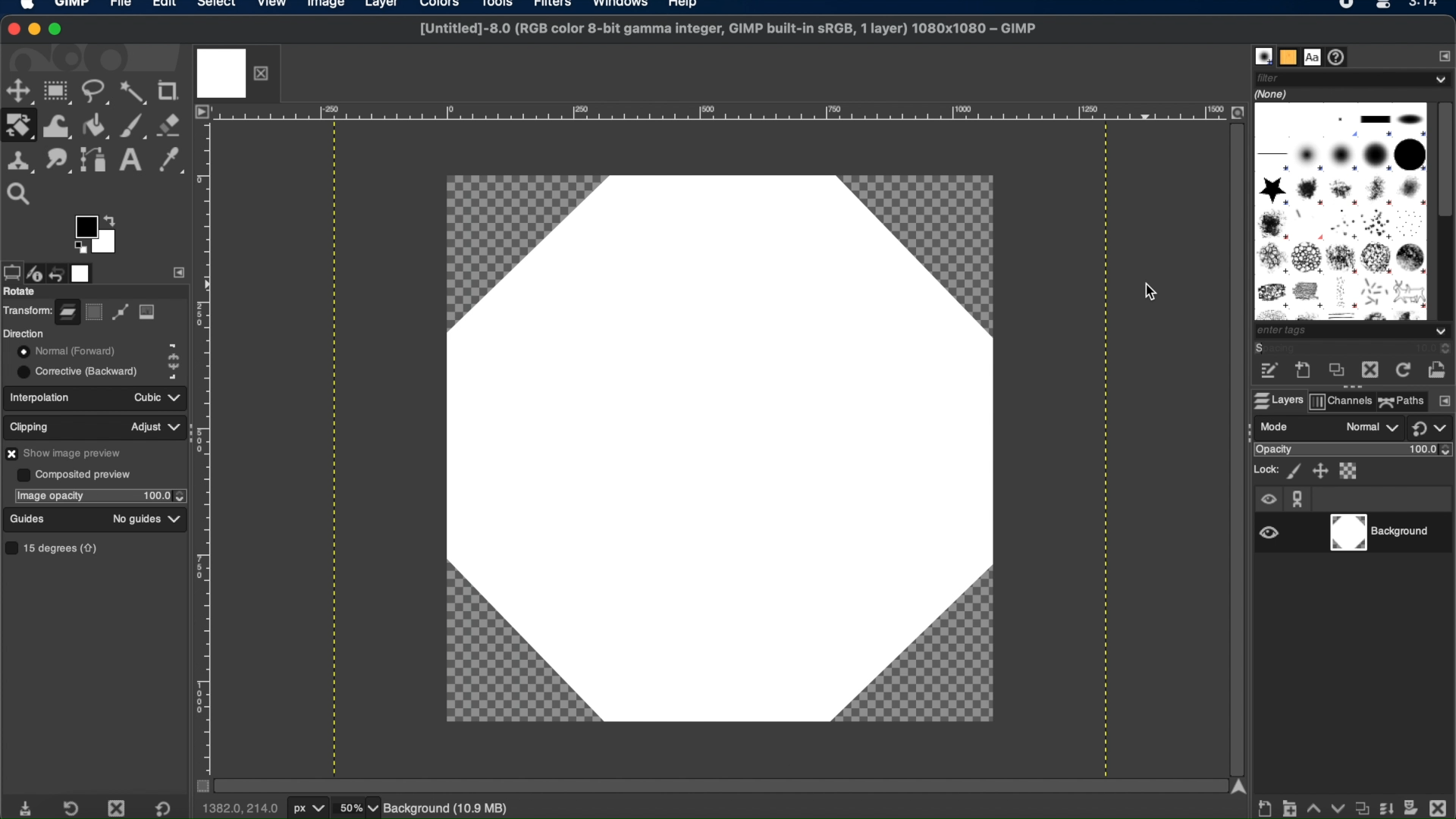  I want to click on units of measurement, so click(310, 809).